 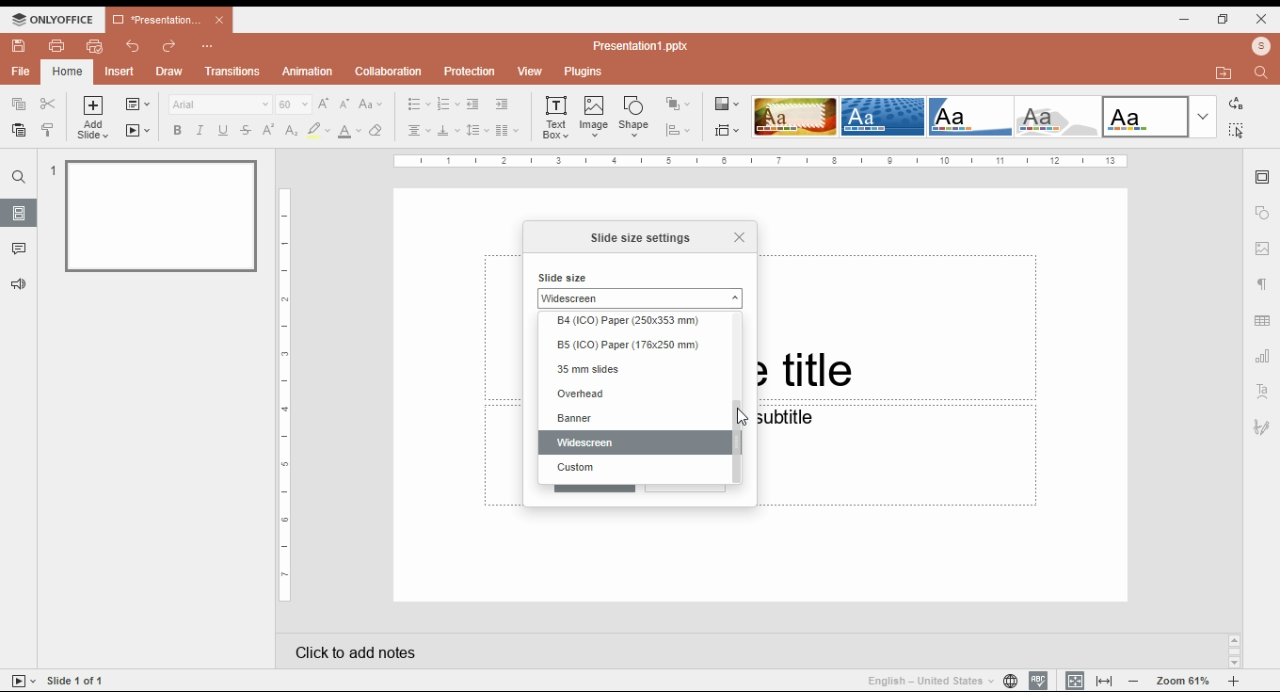 What do you see at coordinates (642, 238) in the screenshot?
I see `Slide size settings` at bounding box center [642, 238].